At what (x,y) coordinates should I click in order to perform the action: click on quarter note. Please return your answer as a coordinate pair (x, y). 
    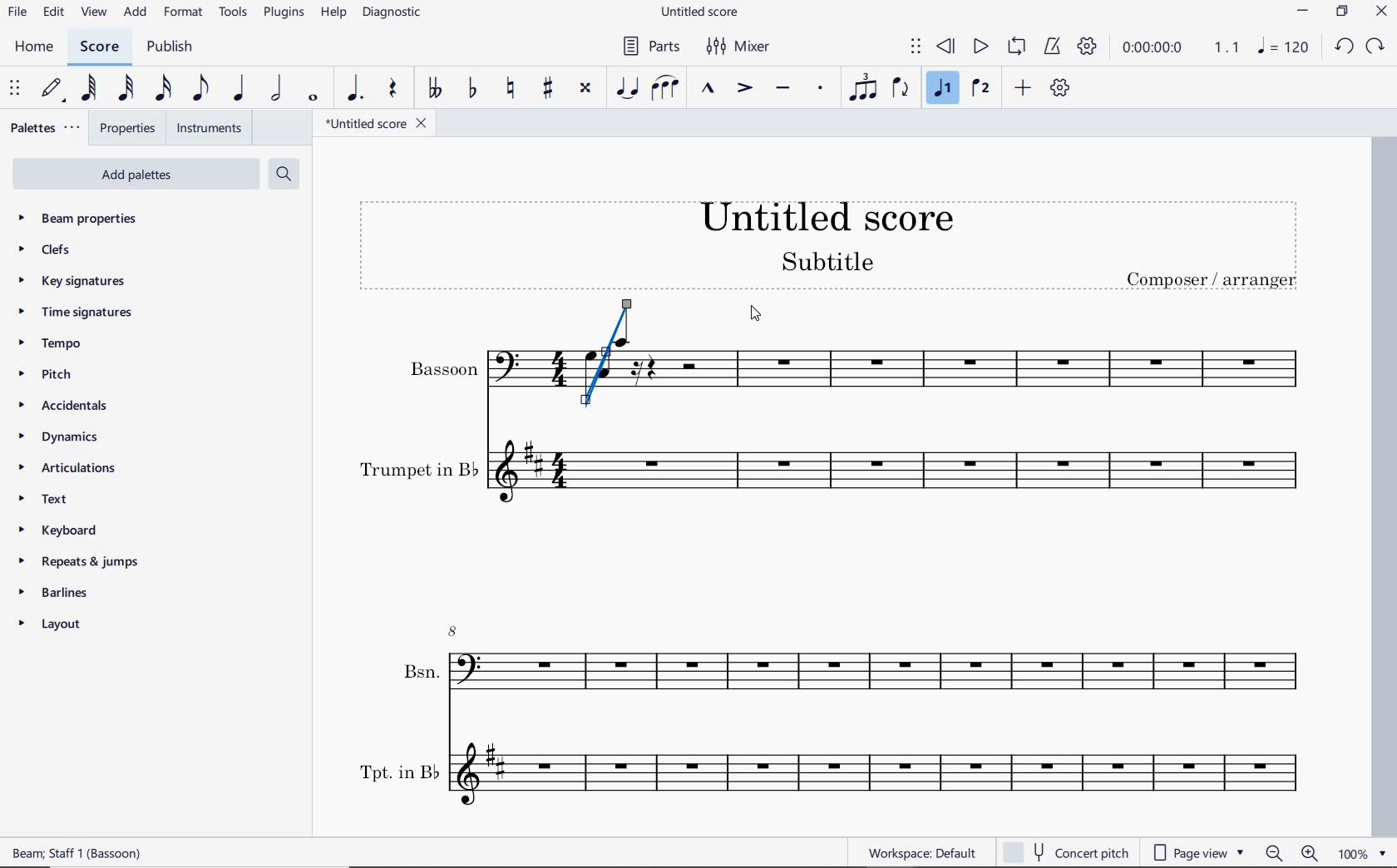
    Looking at the image, I should click on (239, 89).